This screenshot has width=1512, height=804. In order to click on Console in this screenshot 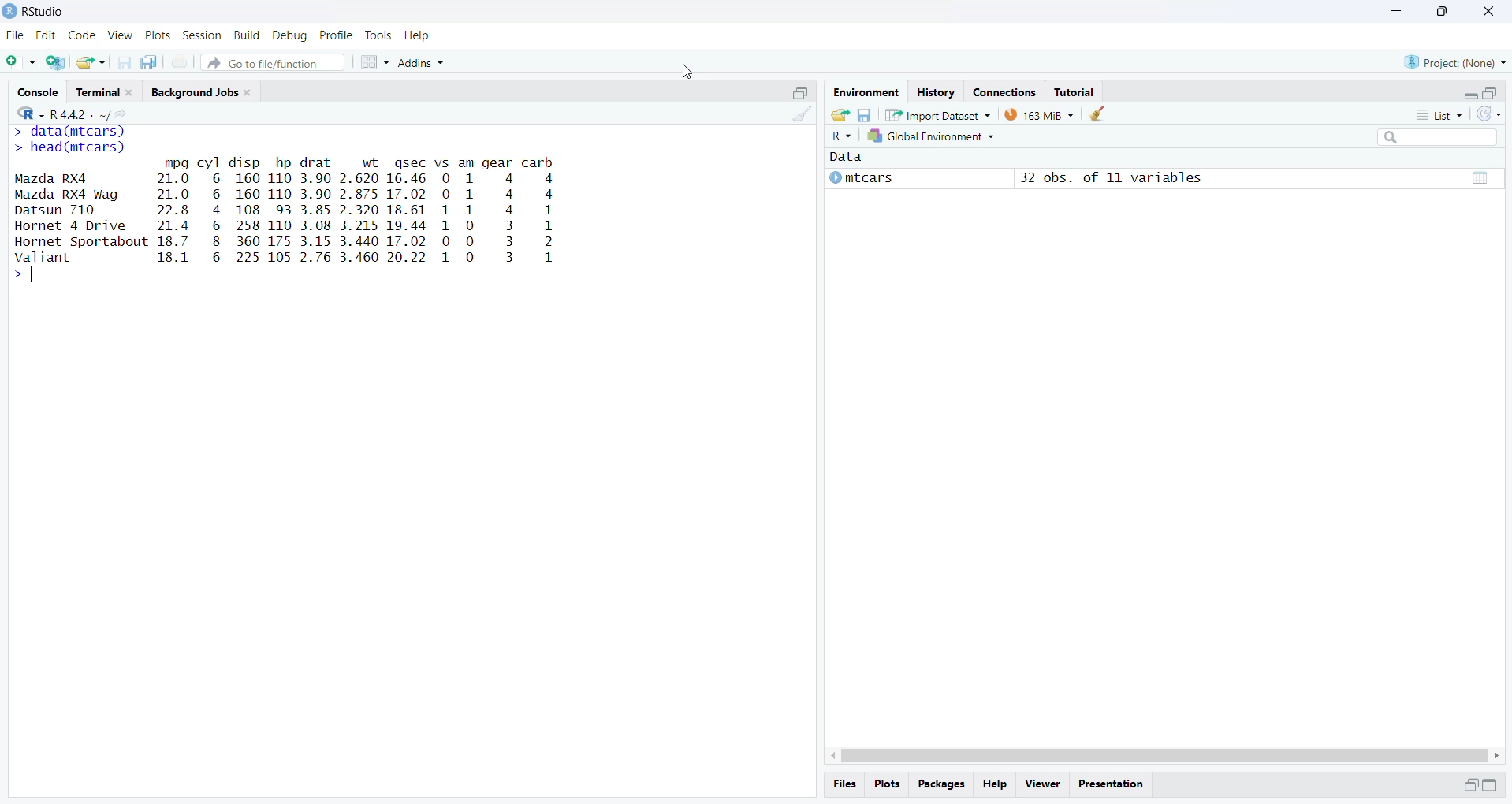, I will do `click(39, 91)`.